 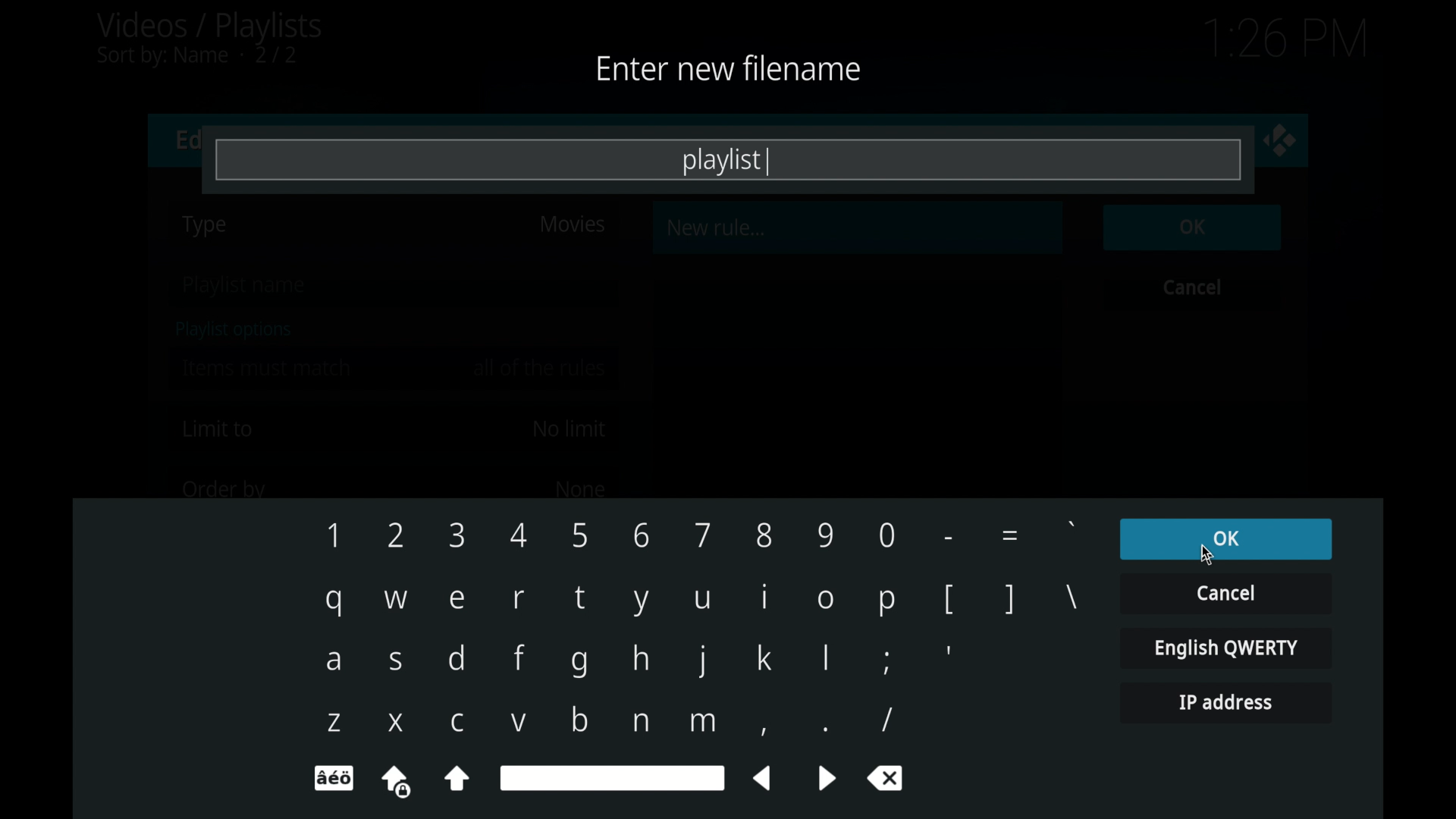 What do you see at coordinates (234, 330) in the screenshot?
I see `playlist options` at bounding box center [234, 330].